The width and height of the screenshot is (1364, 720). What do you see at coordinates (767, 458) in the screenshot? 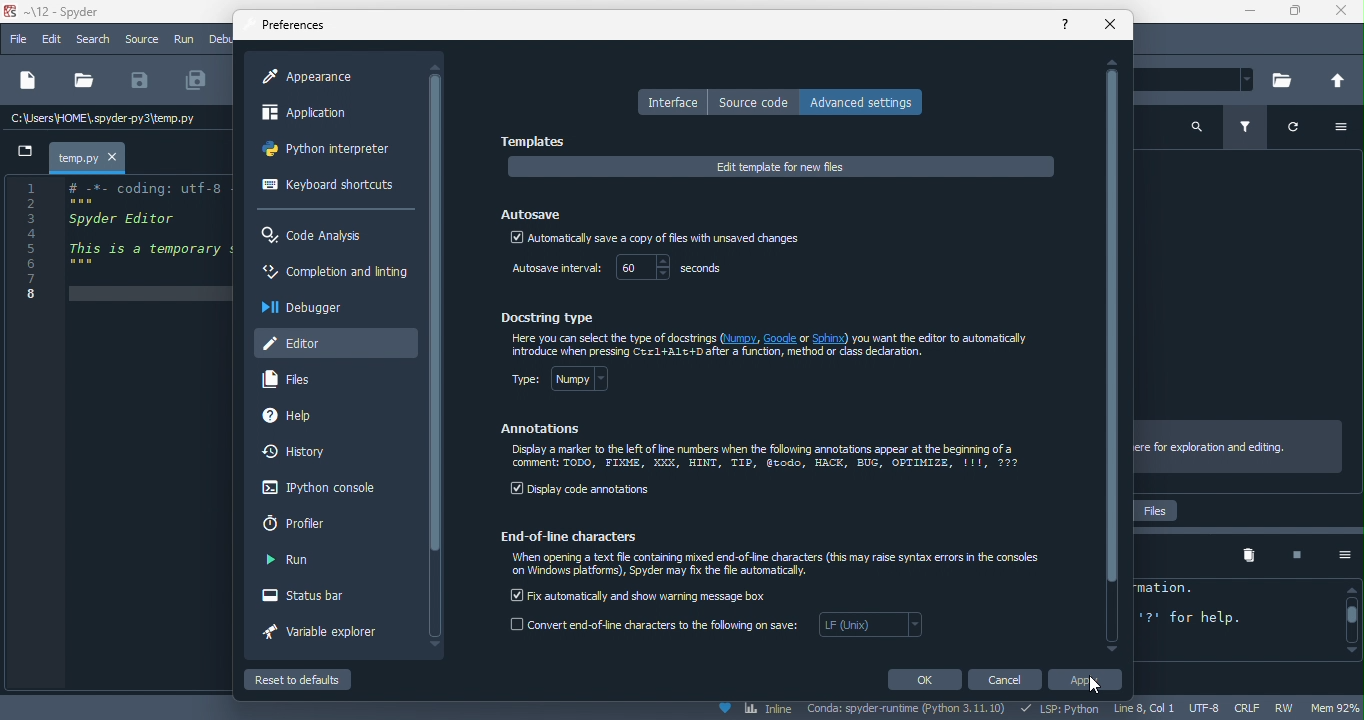
I see `text annotations` at bounding box center [767, 458].